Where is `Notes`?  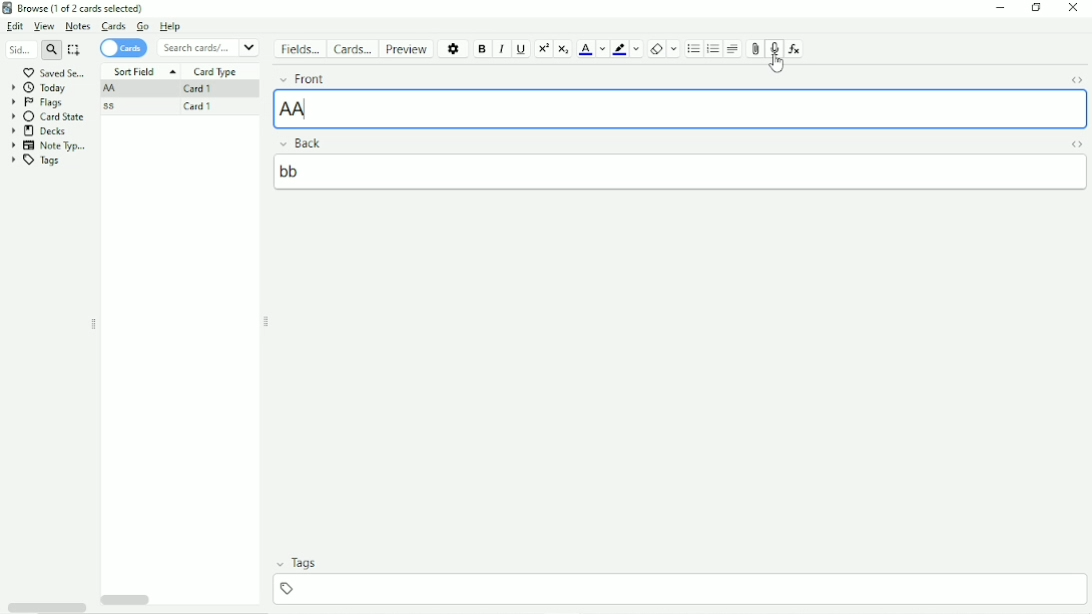
Notes is located at coordinates (78, 26).